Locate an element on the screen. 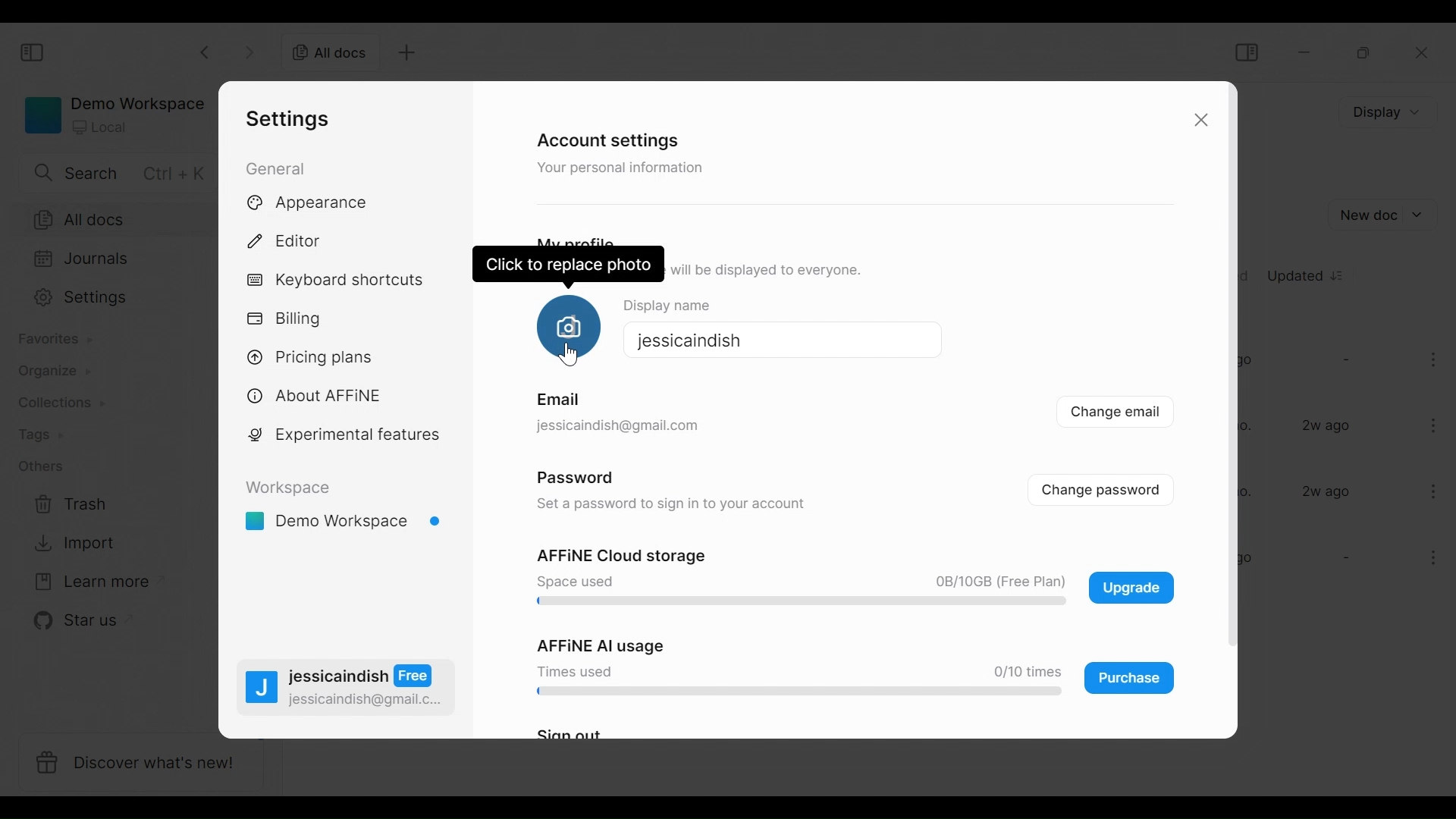 The width and height of the screenshot is (1456, 819).  is located at coordinates (554, 400).